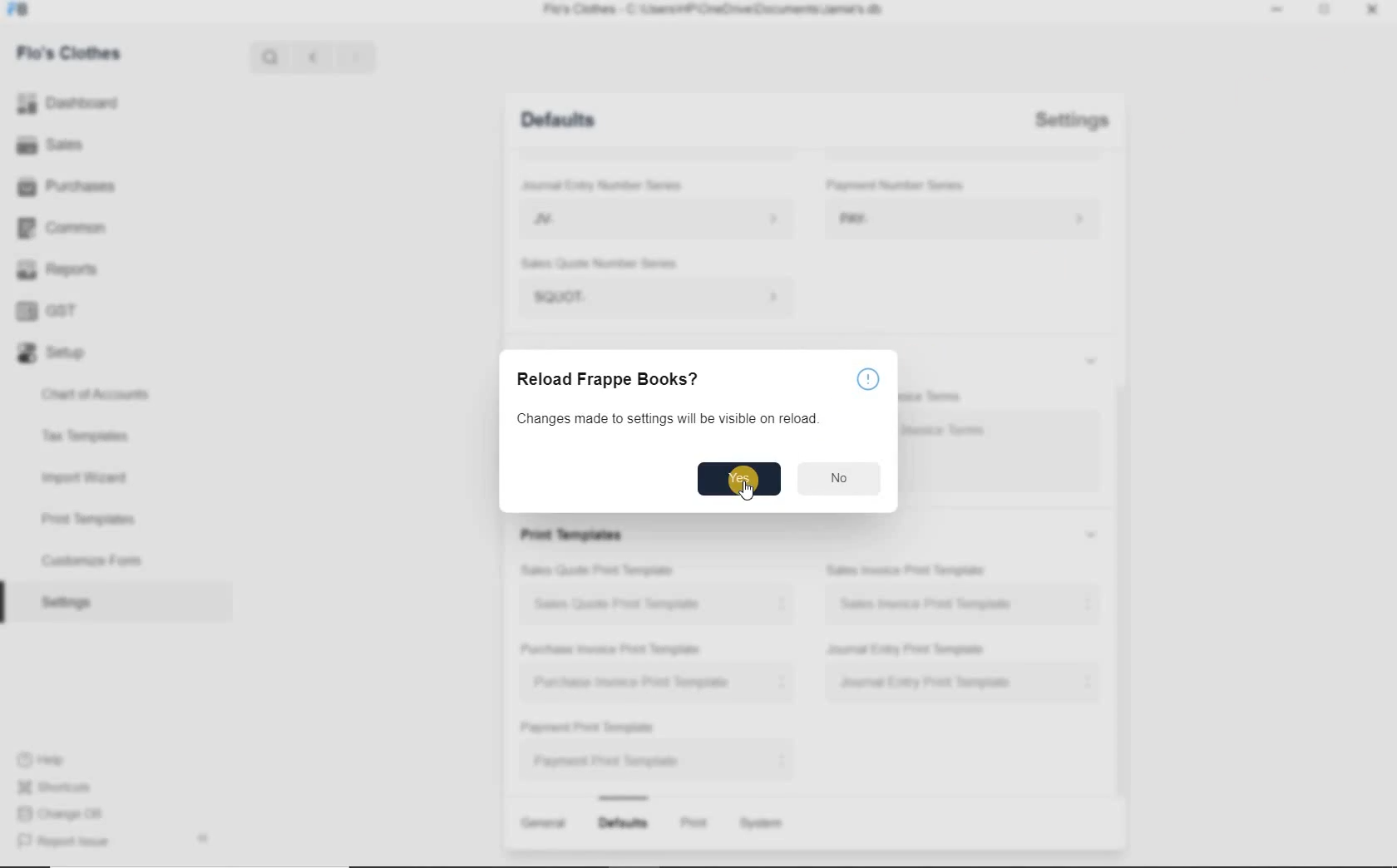 Image resolution: width=1397 pixels, height=868 pixels. Describe the element at coordinates (50, 357) in the screenshot. I see `Setup` at that location.